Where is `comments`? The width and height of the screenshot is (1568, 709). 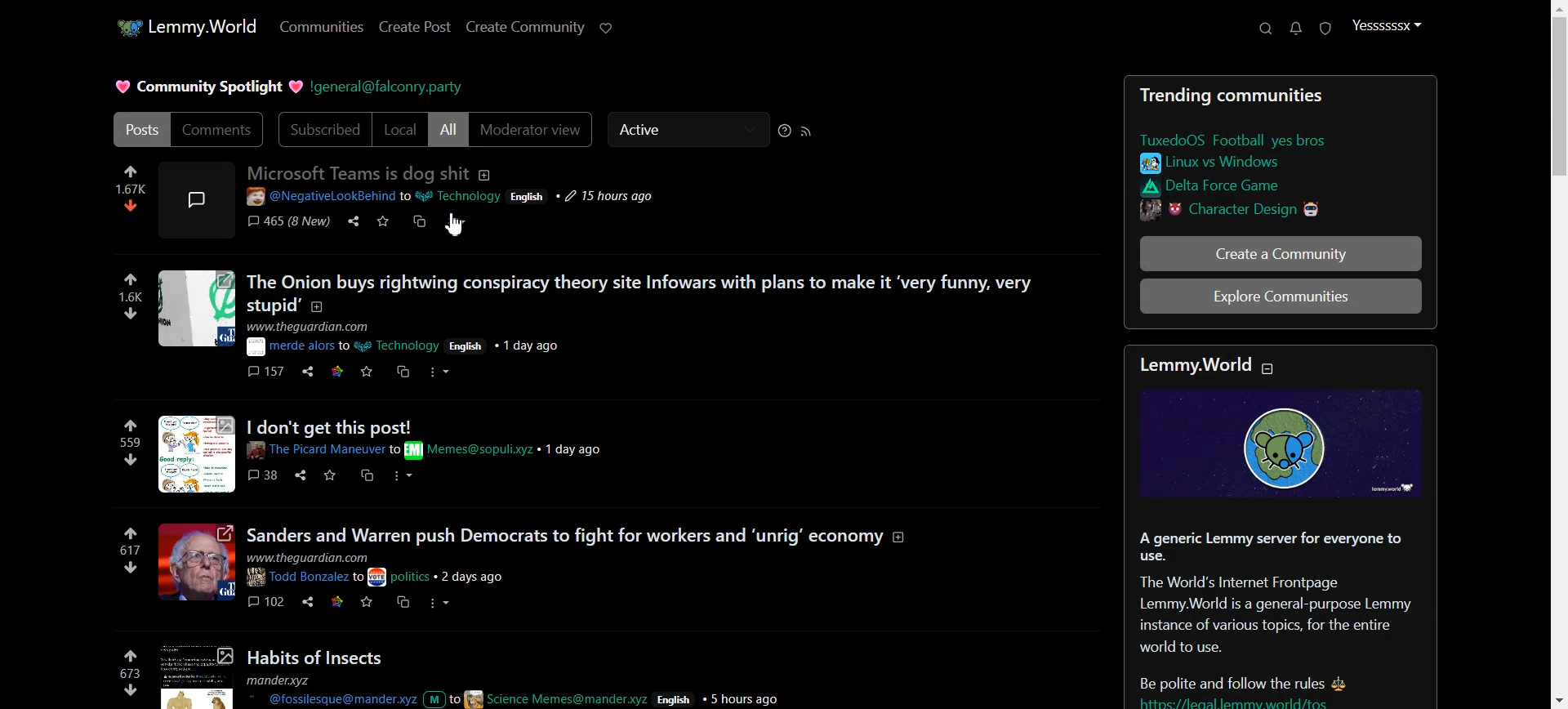
comments is located at coordinates (268, 372).